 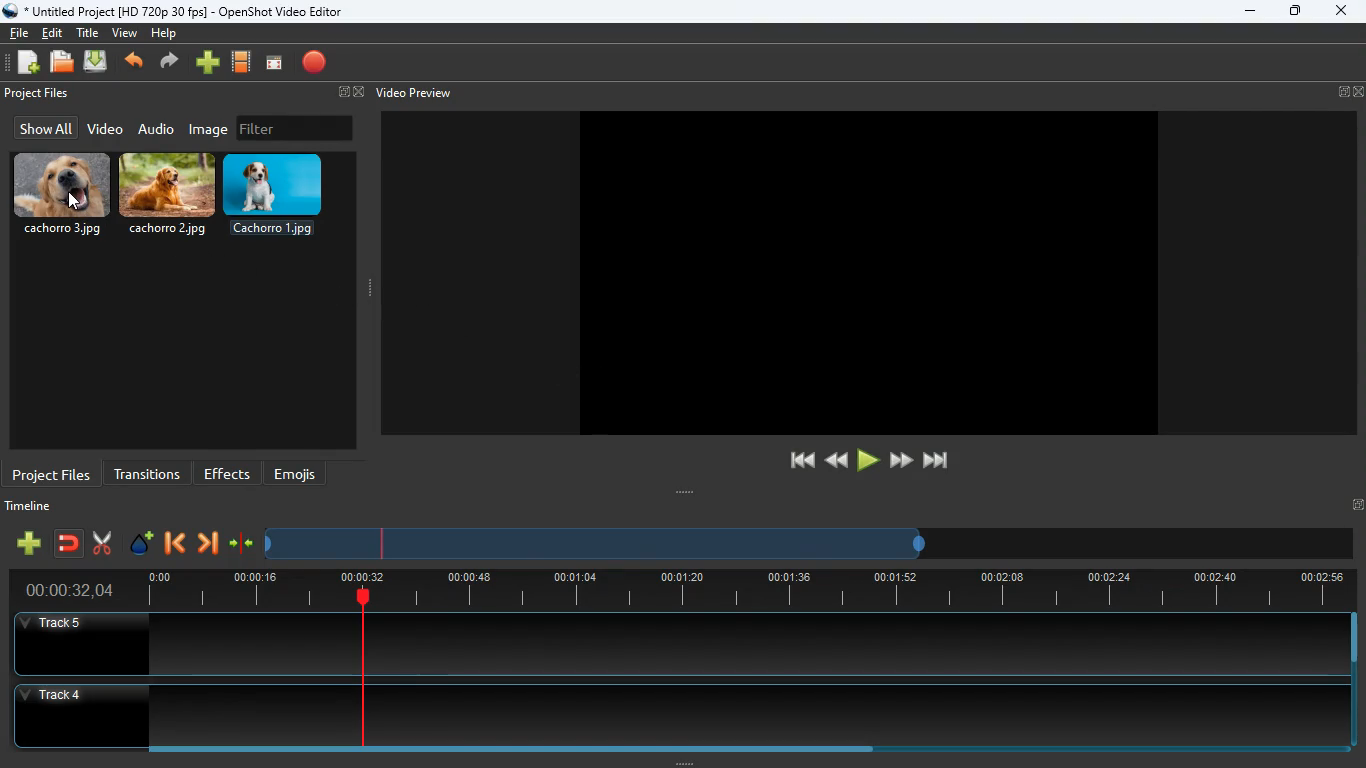 I want to click on minimize, so click(x=1250, y=12).